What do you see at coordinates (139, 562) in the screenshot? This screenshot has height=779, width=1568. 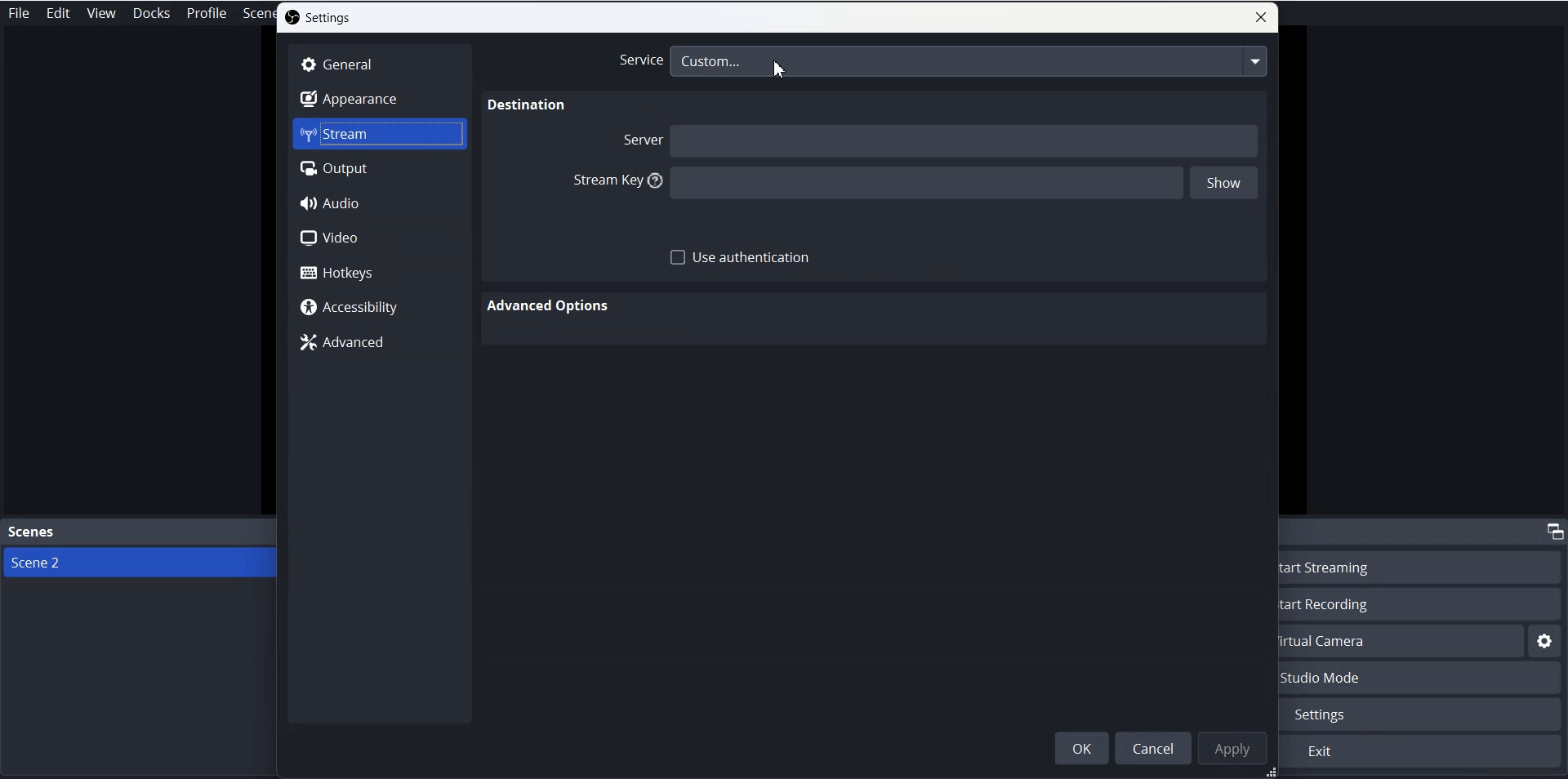 I see `Scene 2` at bounding box center [139, 562].